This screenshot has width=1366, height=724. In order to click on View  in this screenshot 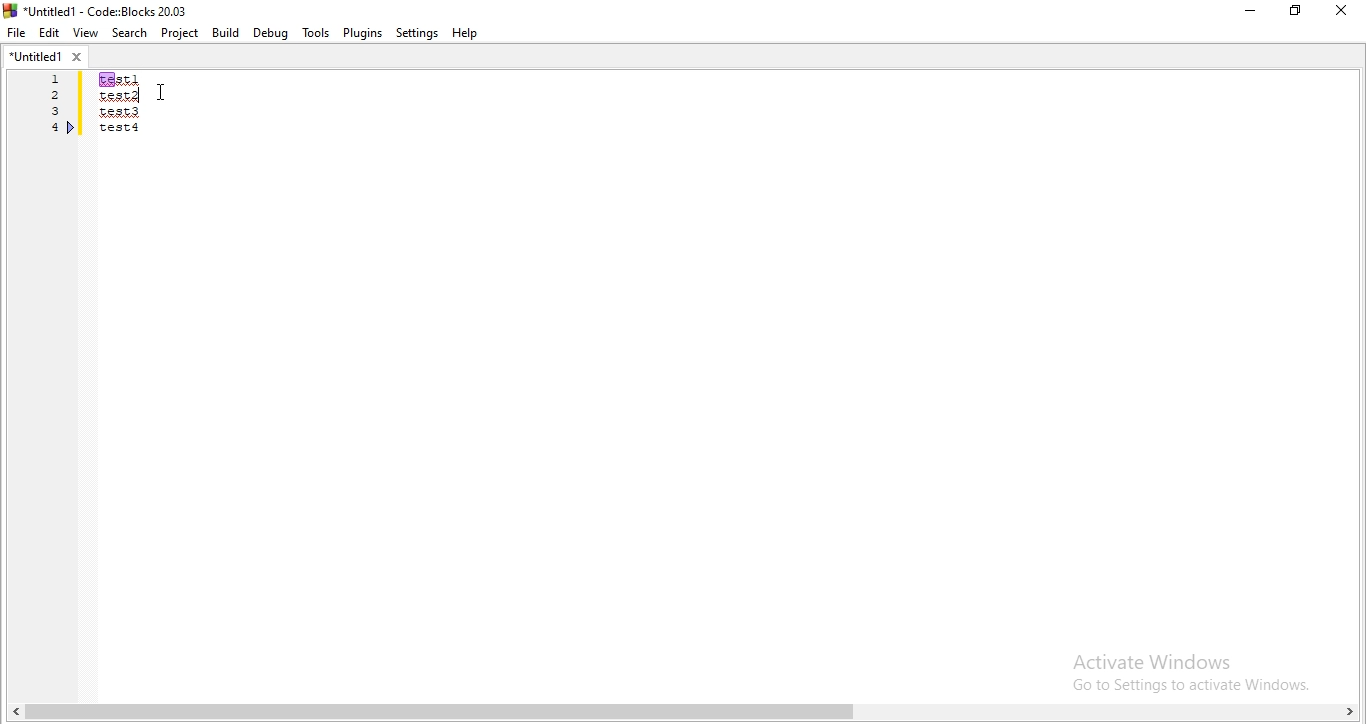, I will do `click(85, 33)`.